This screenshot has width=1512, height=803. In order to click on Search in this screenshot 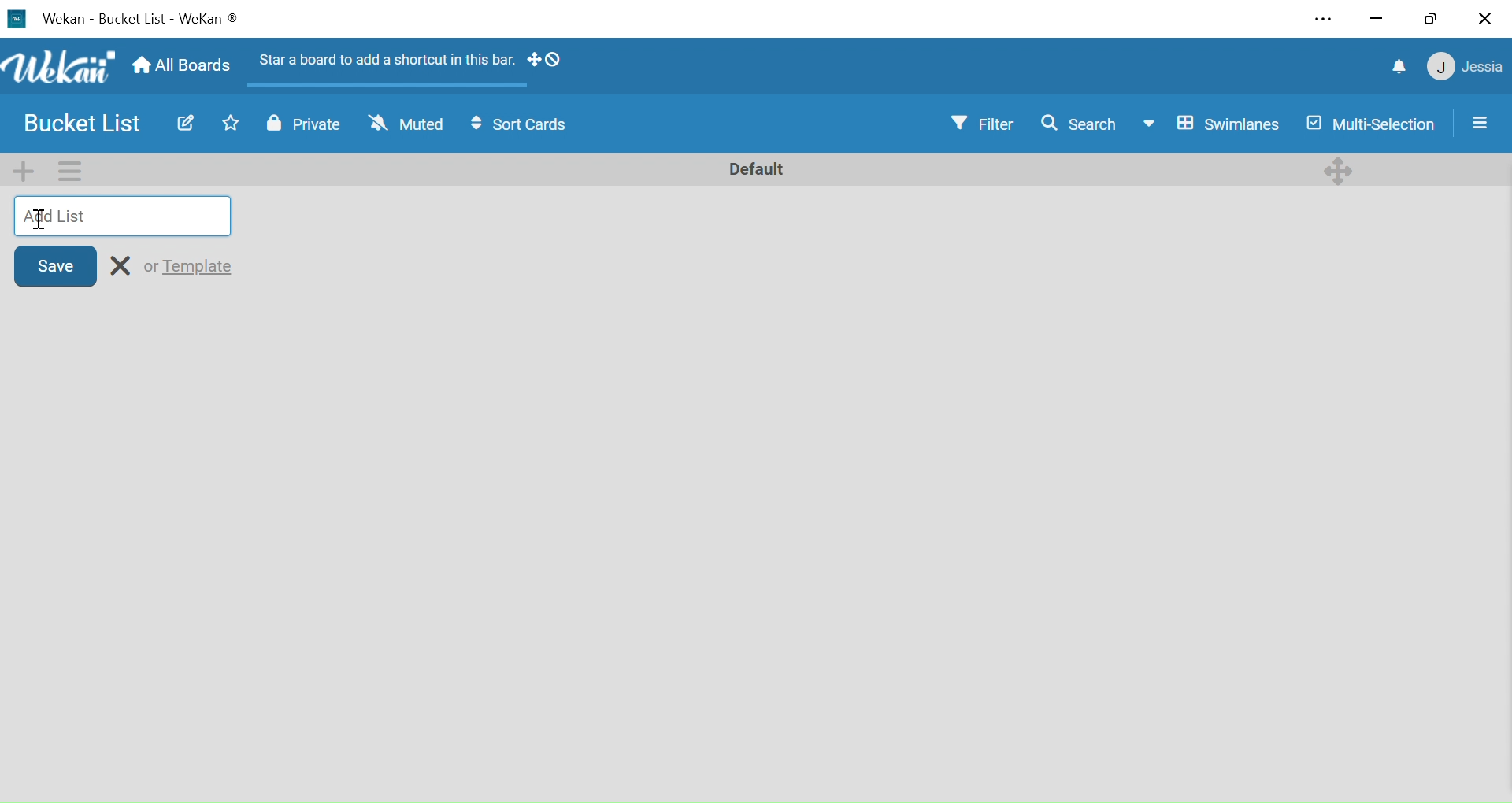, I will do `click(1078, 123)`.